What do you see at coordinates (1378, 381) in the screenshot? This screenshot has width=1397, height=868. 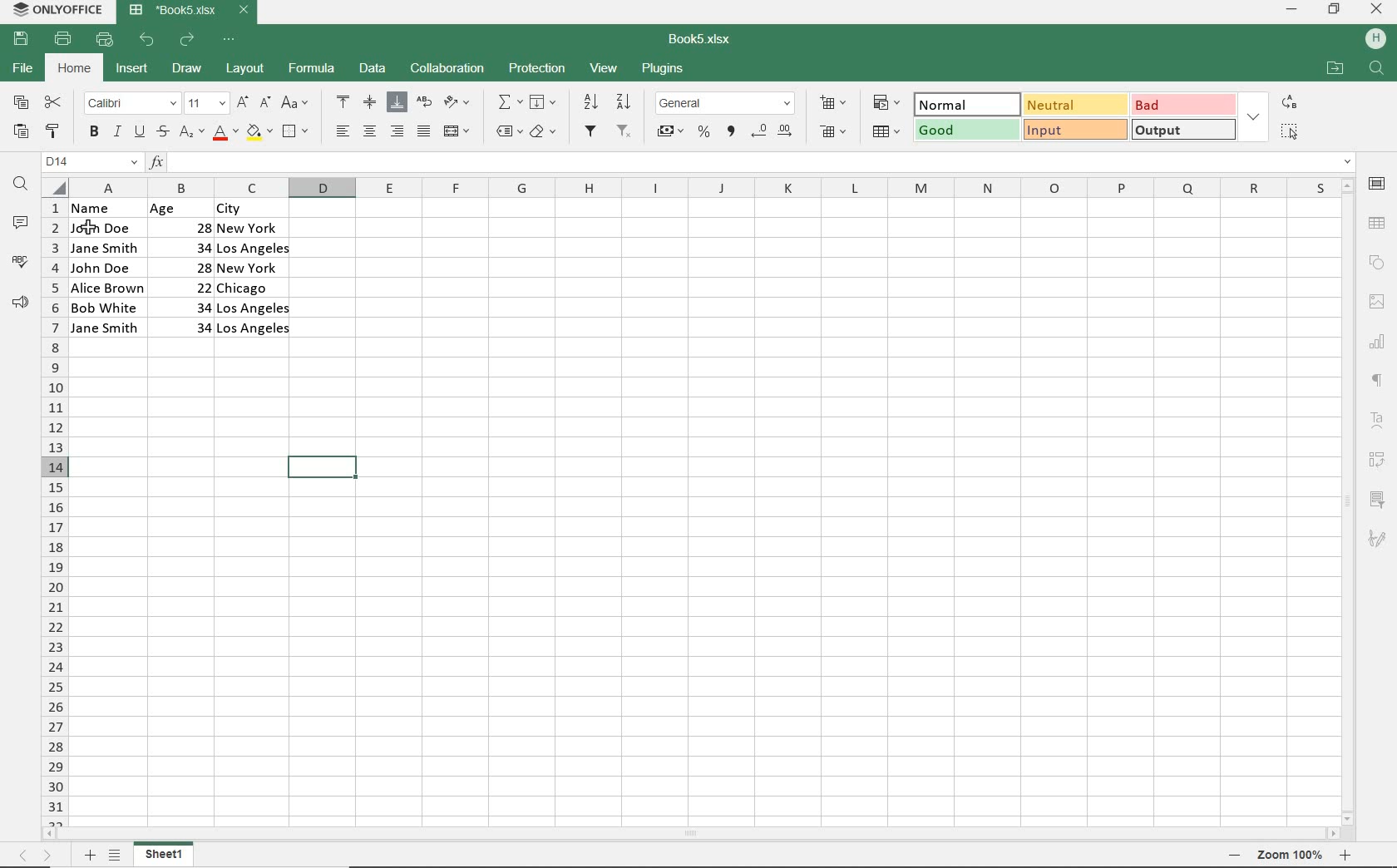 I see `PARAGRAPH SETTINGS` at bounding box center [1378, 381].